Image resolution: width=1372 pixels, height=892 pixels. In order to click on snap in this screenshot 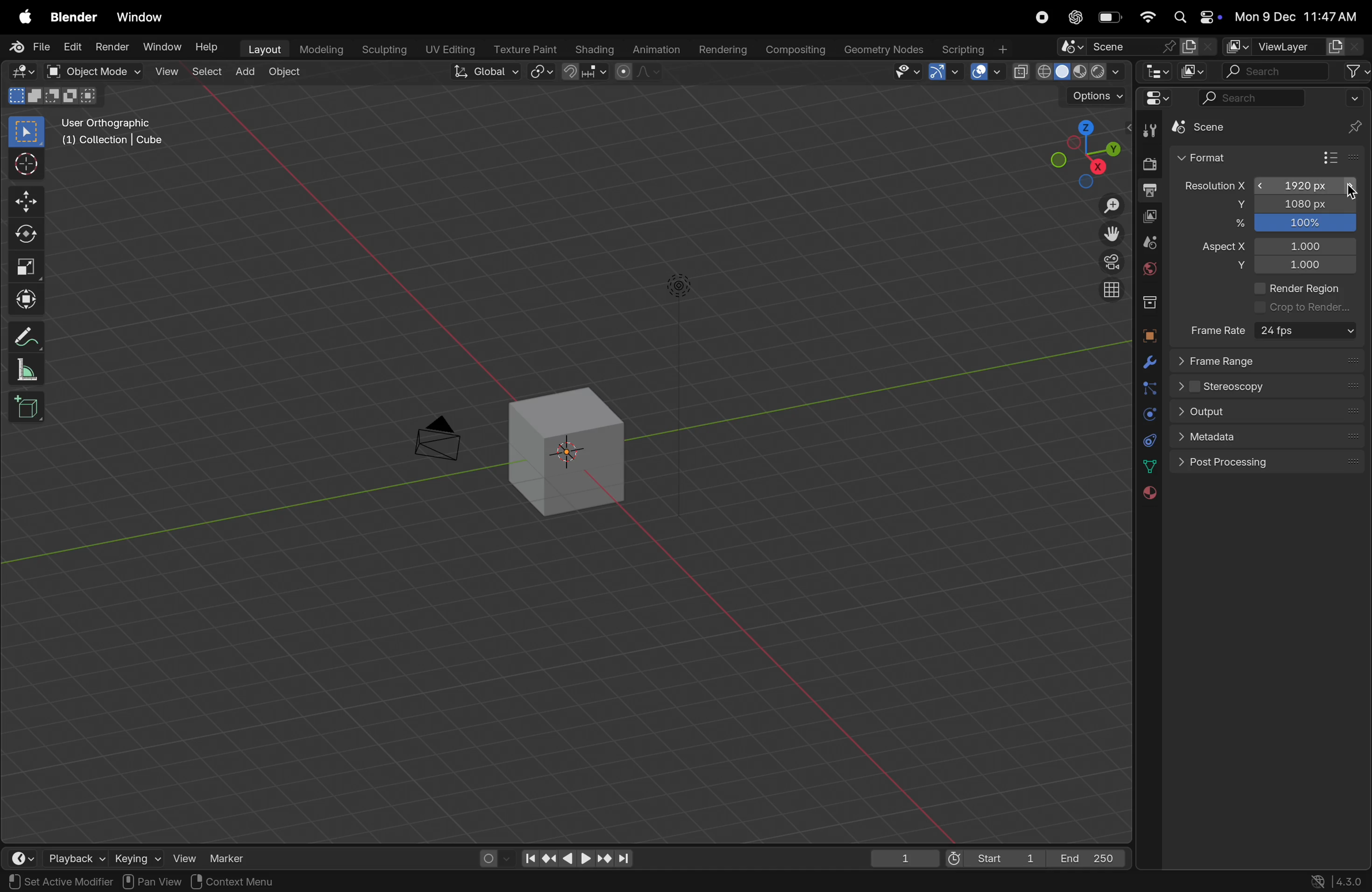, I will do `click(584, 73)`.